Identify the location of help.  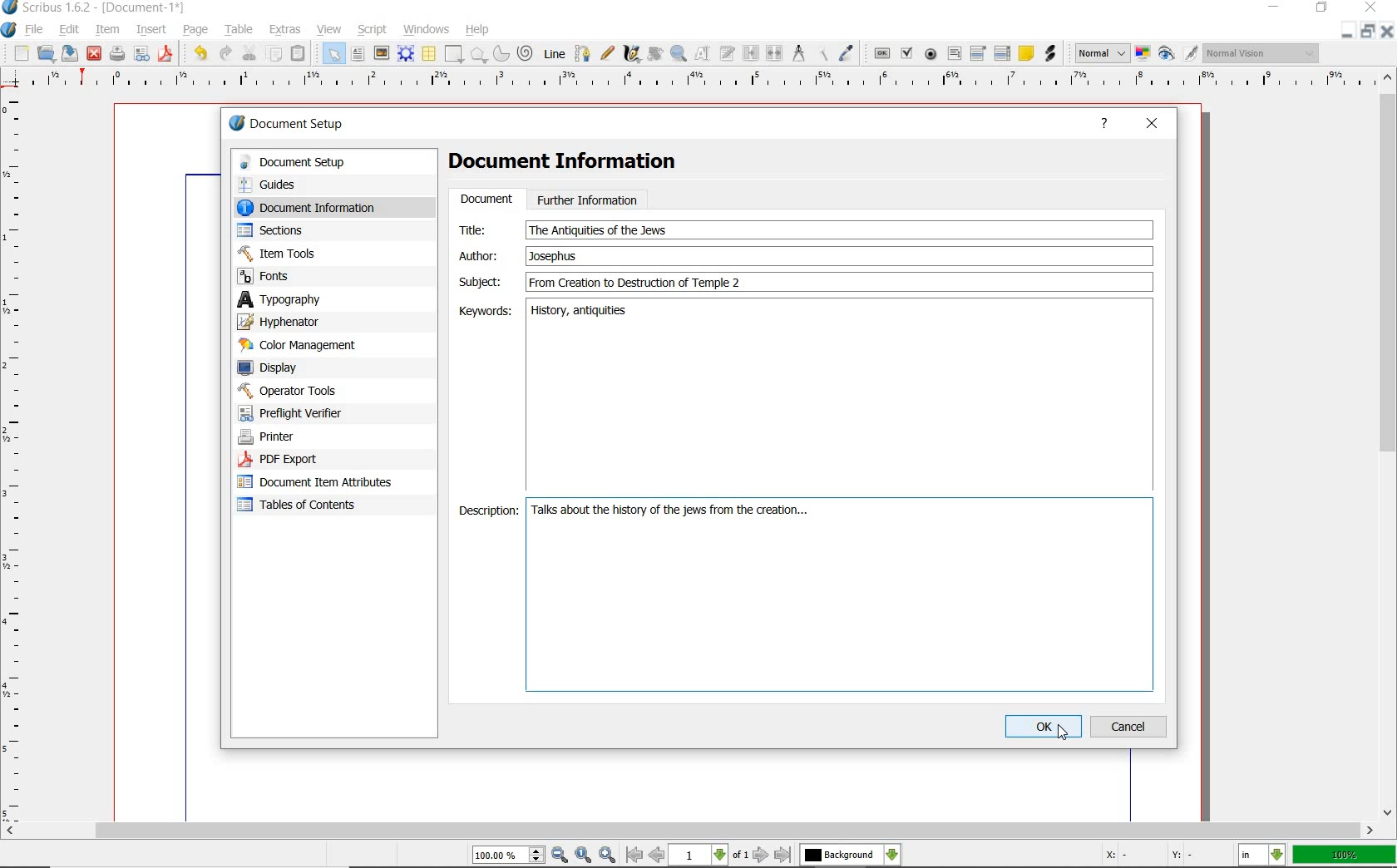
(480, 28).